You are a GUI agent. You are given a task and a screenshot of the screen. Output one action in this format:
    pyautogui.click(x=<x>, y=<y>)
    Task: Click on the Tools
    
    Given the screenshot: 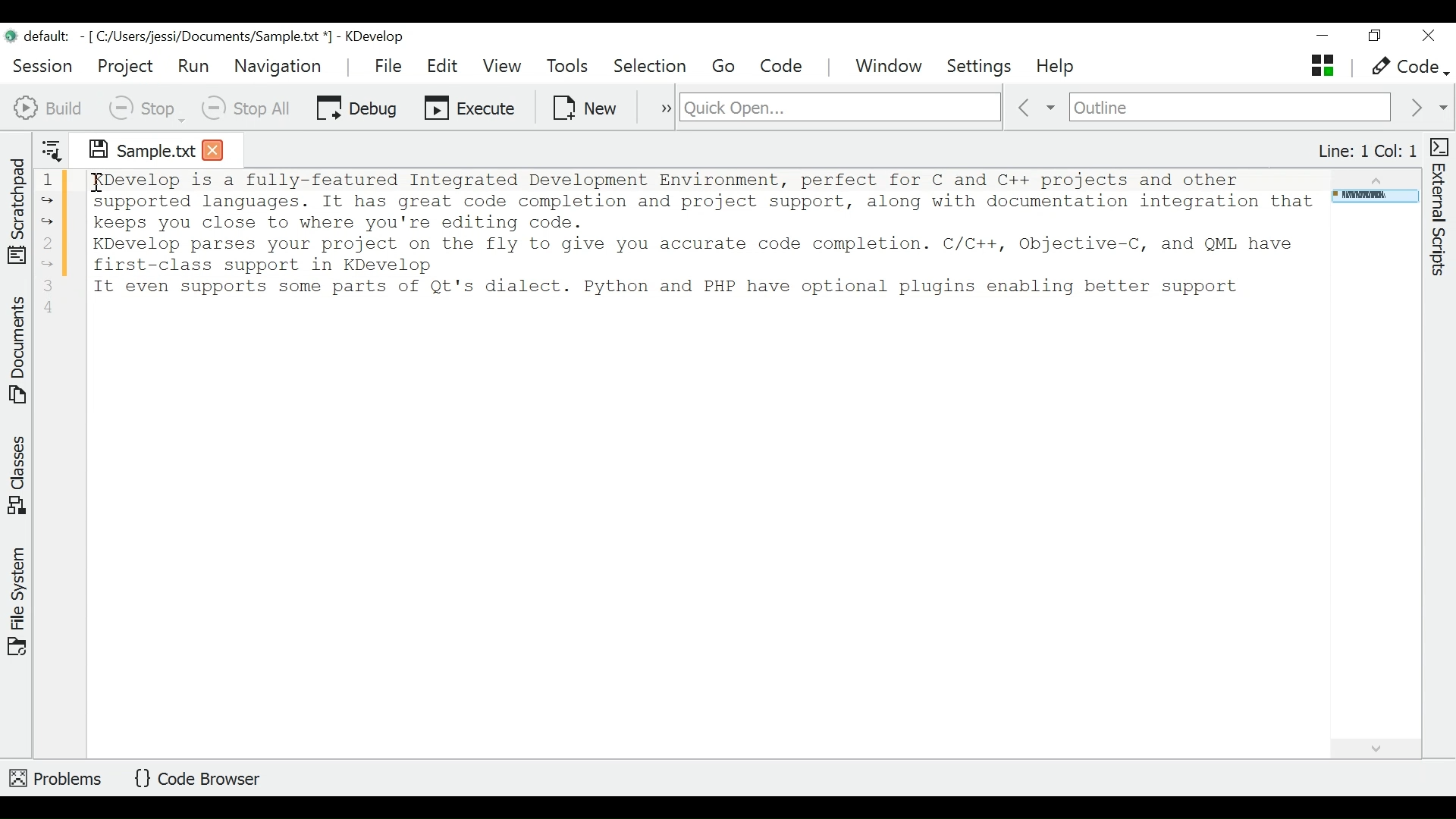 What is the action you would take?
    pyautogui.click(x=572, y=67)
    